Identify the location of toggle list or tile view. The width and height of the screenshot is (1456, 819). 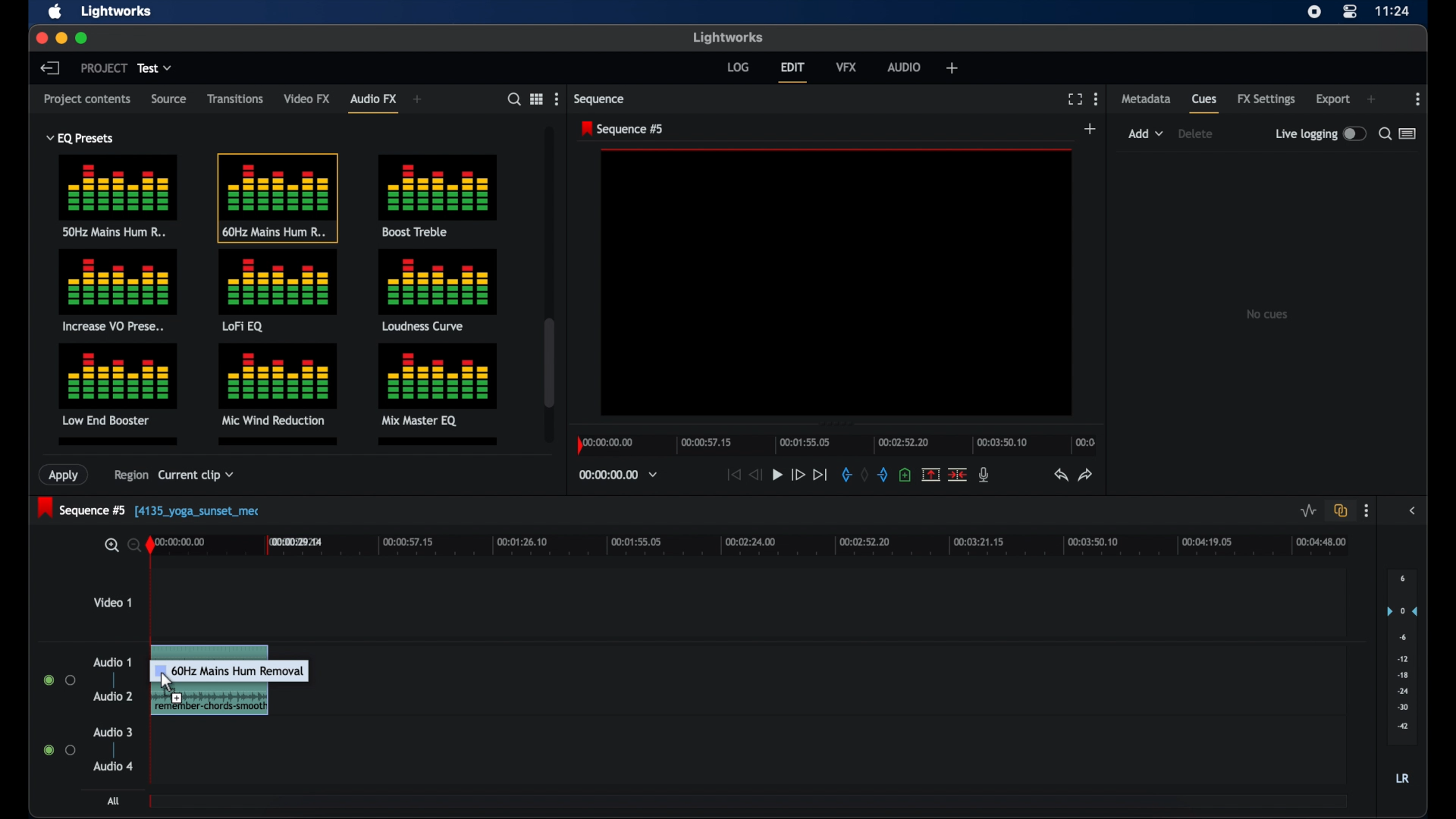
(536, 98).